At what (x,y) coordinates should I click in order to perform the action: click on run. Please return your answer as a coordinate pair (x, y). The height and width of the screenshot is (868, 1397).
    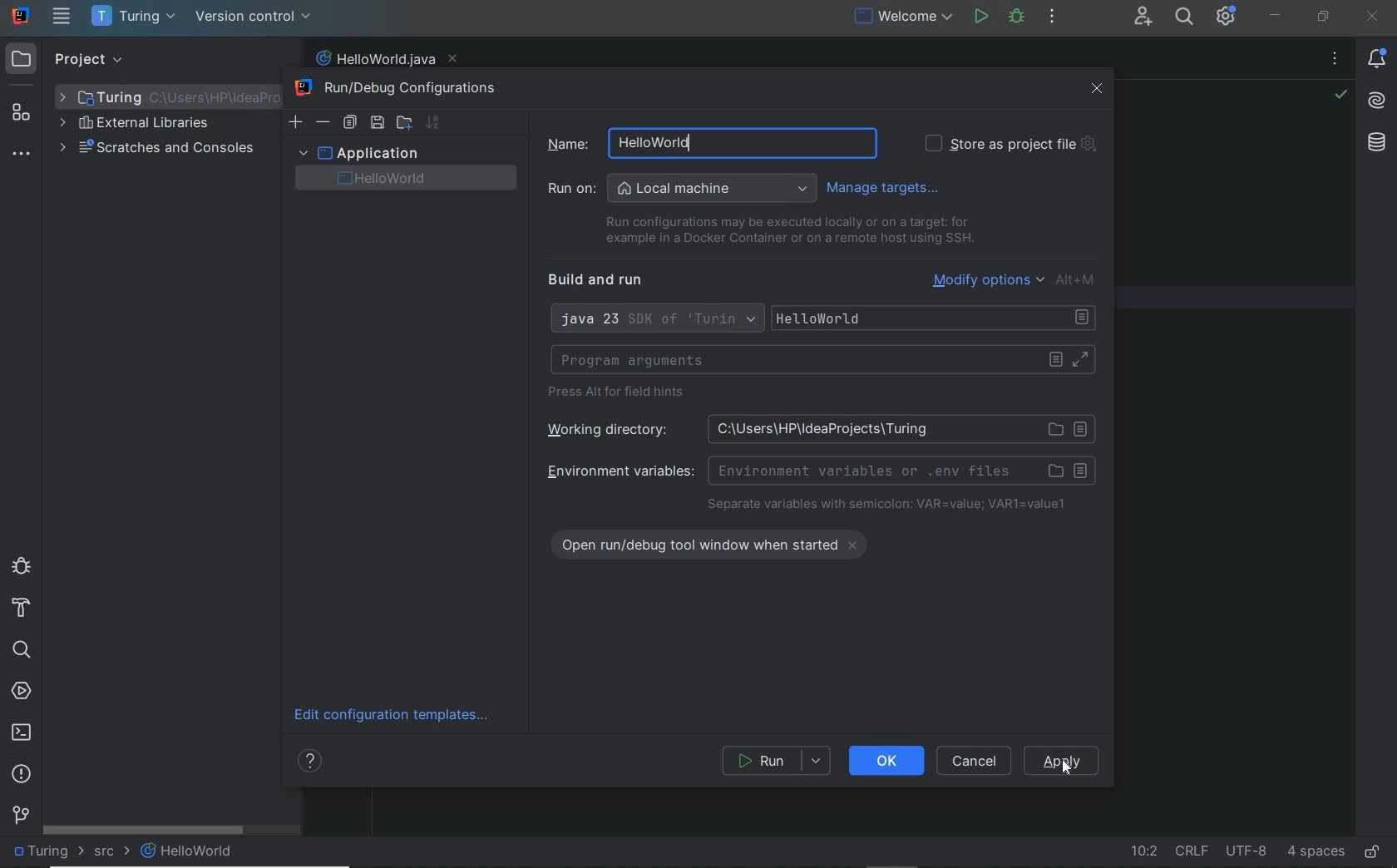
    Looking at the image, I should click on (980, 16).